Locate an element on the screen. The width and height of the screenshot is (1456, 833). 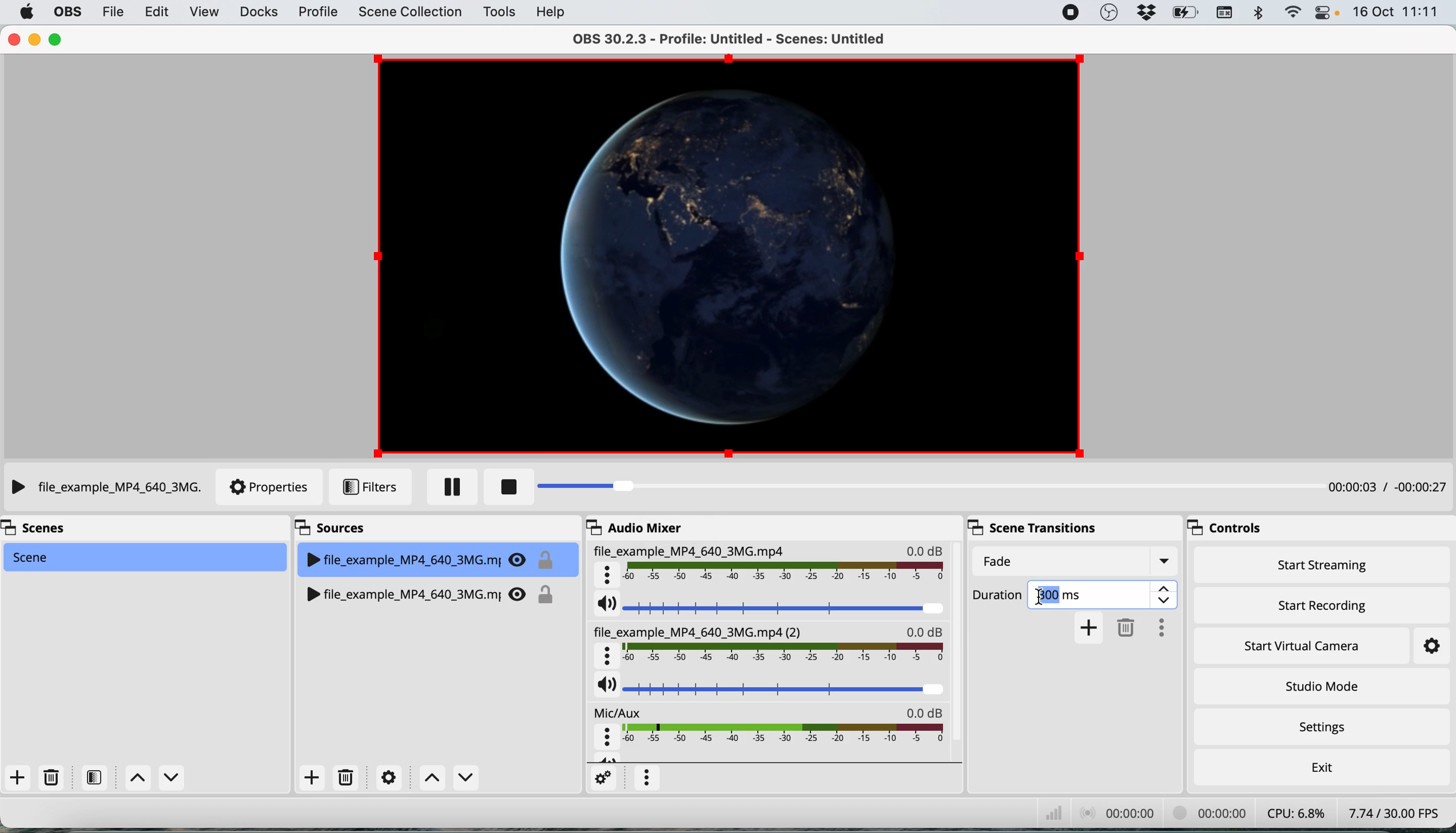
date and time is located at coordinates (1398, 12).